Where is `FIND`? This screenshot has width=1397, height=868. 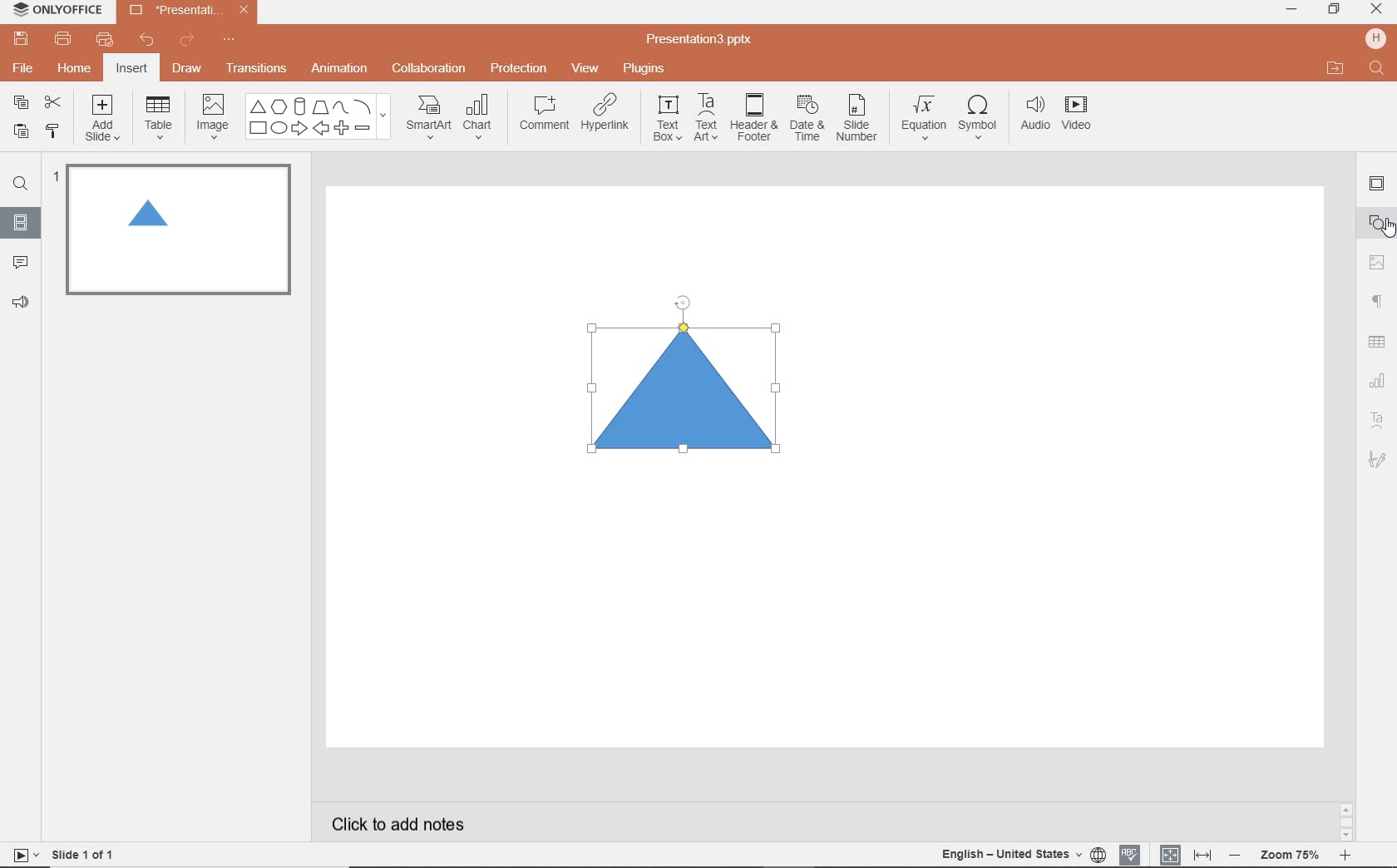 FIND is located at coordinates (1378, 70).